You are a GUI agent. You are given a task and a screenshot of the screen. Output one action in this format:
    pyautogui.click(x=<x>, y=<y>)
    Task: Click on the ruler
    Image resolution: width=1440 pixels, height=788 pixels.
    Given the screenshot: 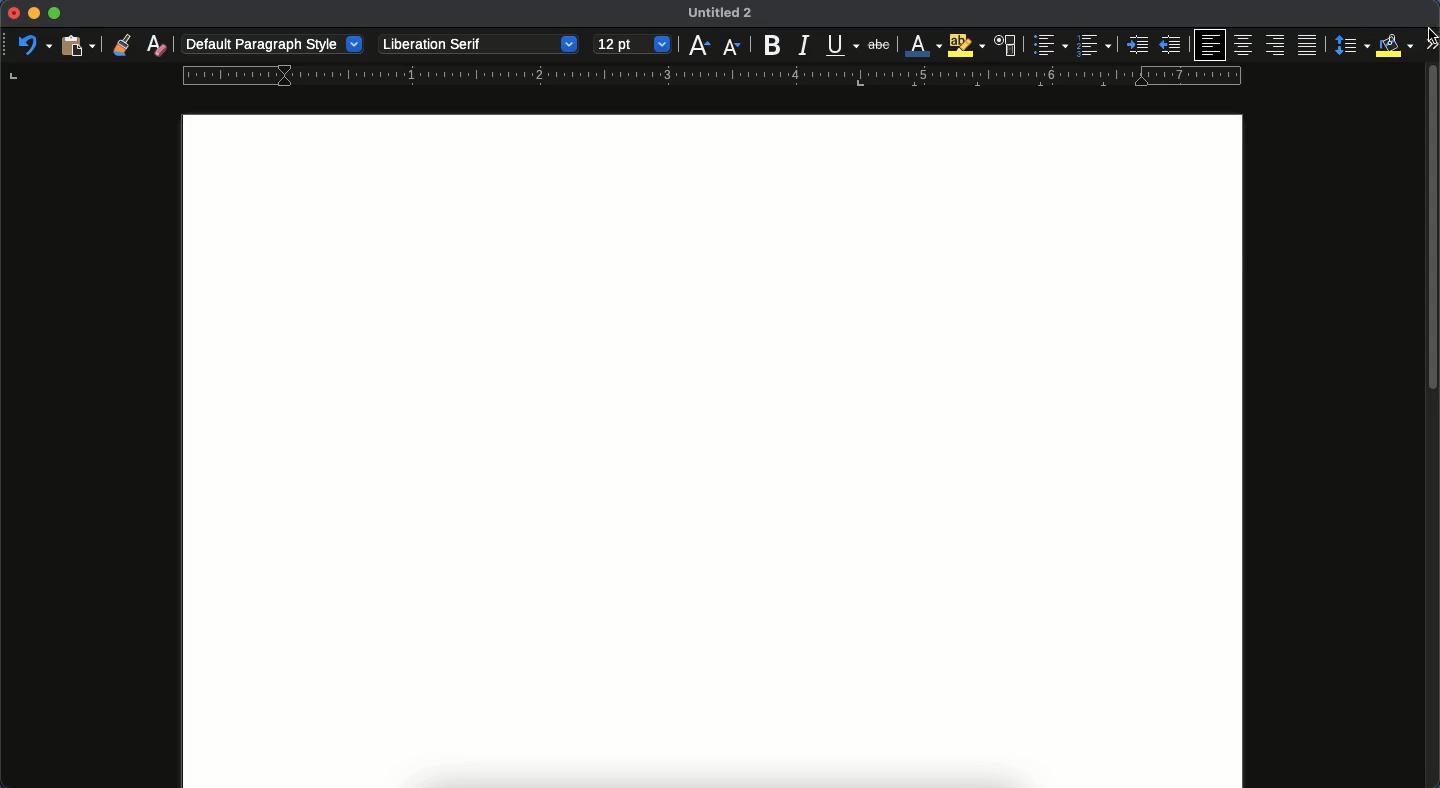 What is the action you would take?
    pyautogui.click(x=707, y=76)
    